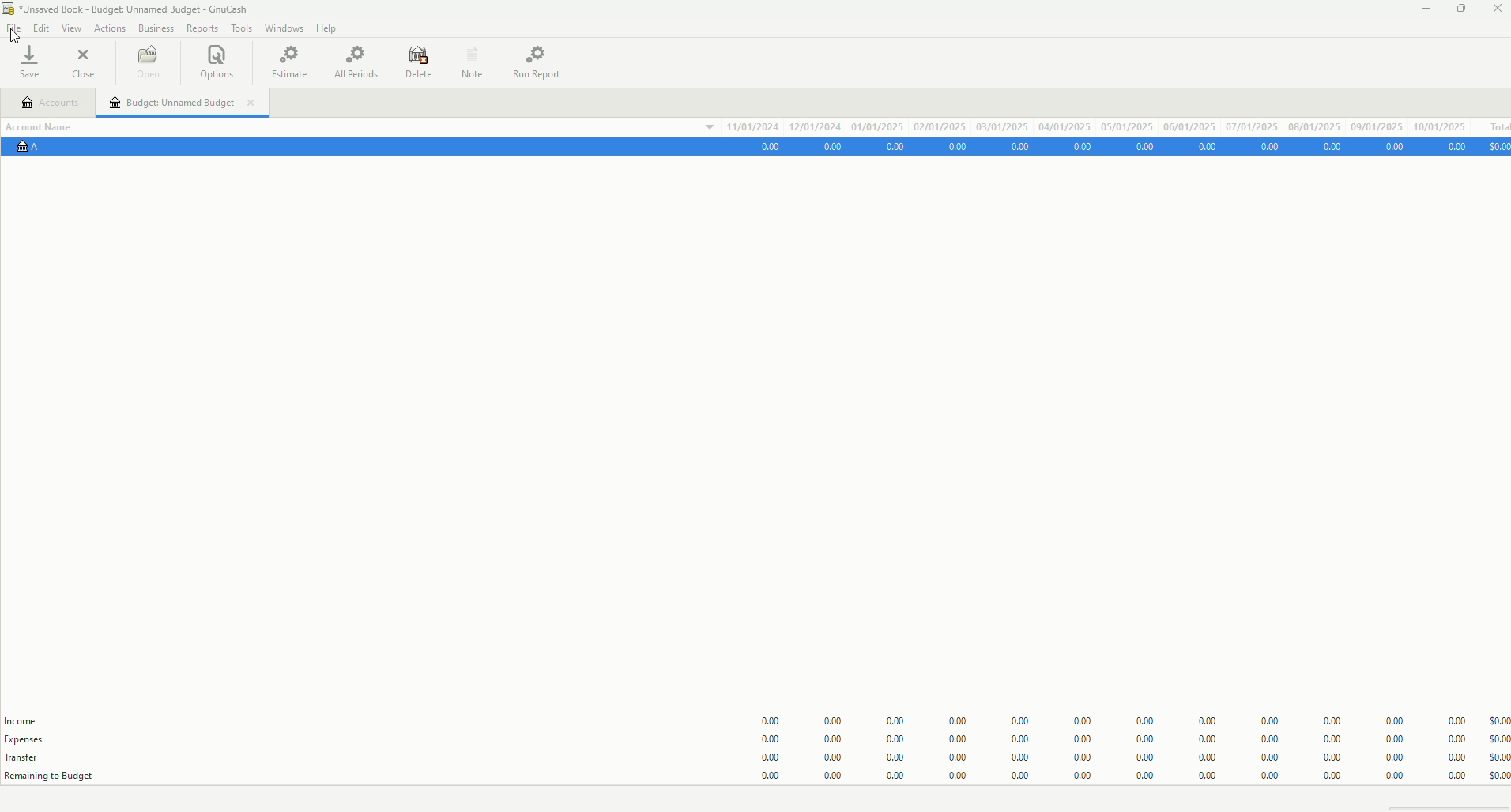 The height and width of the screenshot is (812, 1511). I want to click on Account A, so click(32, 152).